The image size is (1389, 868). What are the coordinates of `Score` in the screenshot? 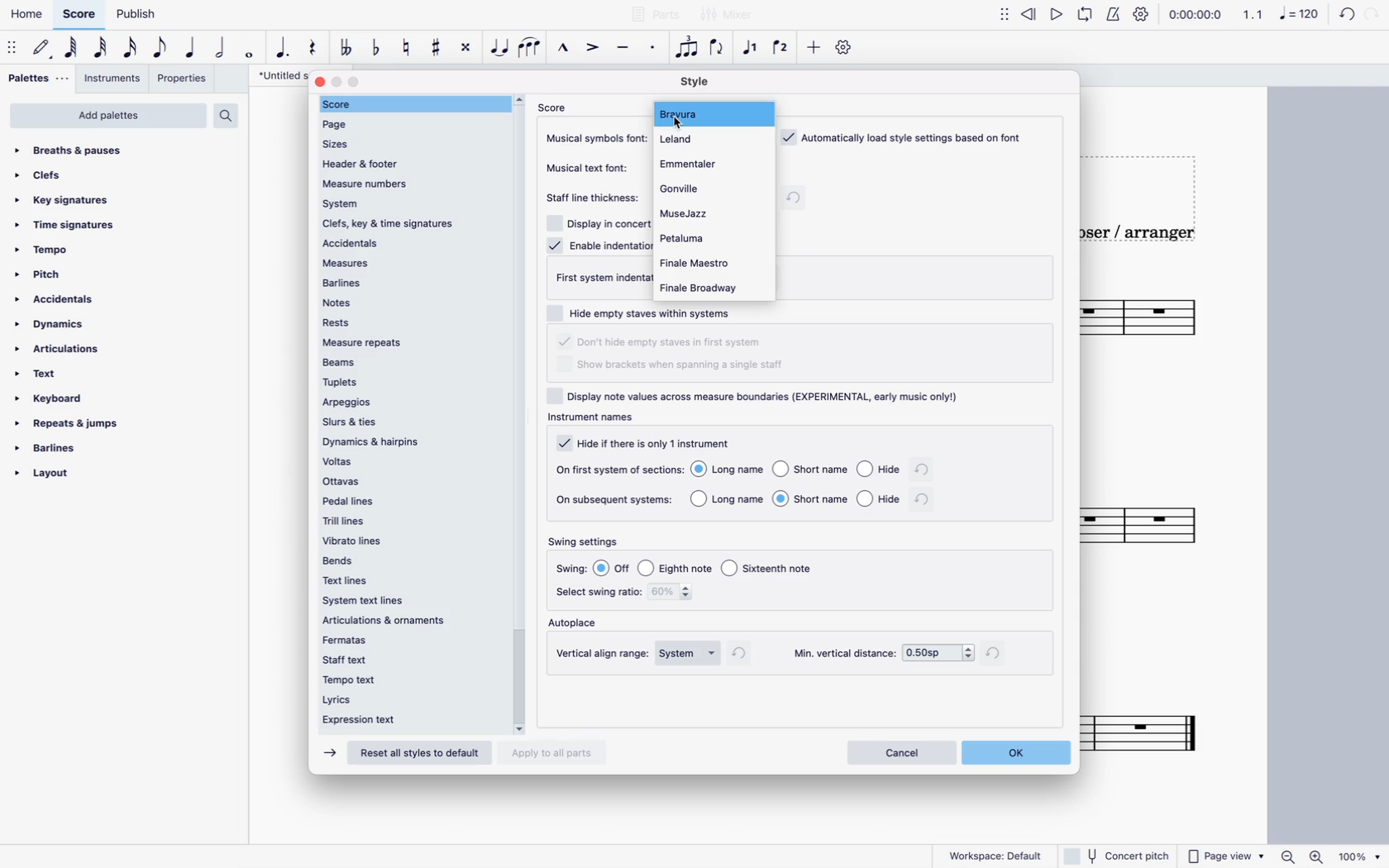 It's located at (79, 12).